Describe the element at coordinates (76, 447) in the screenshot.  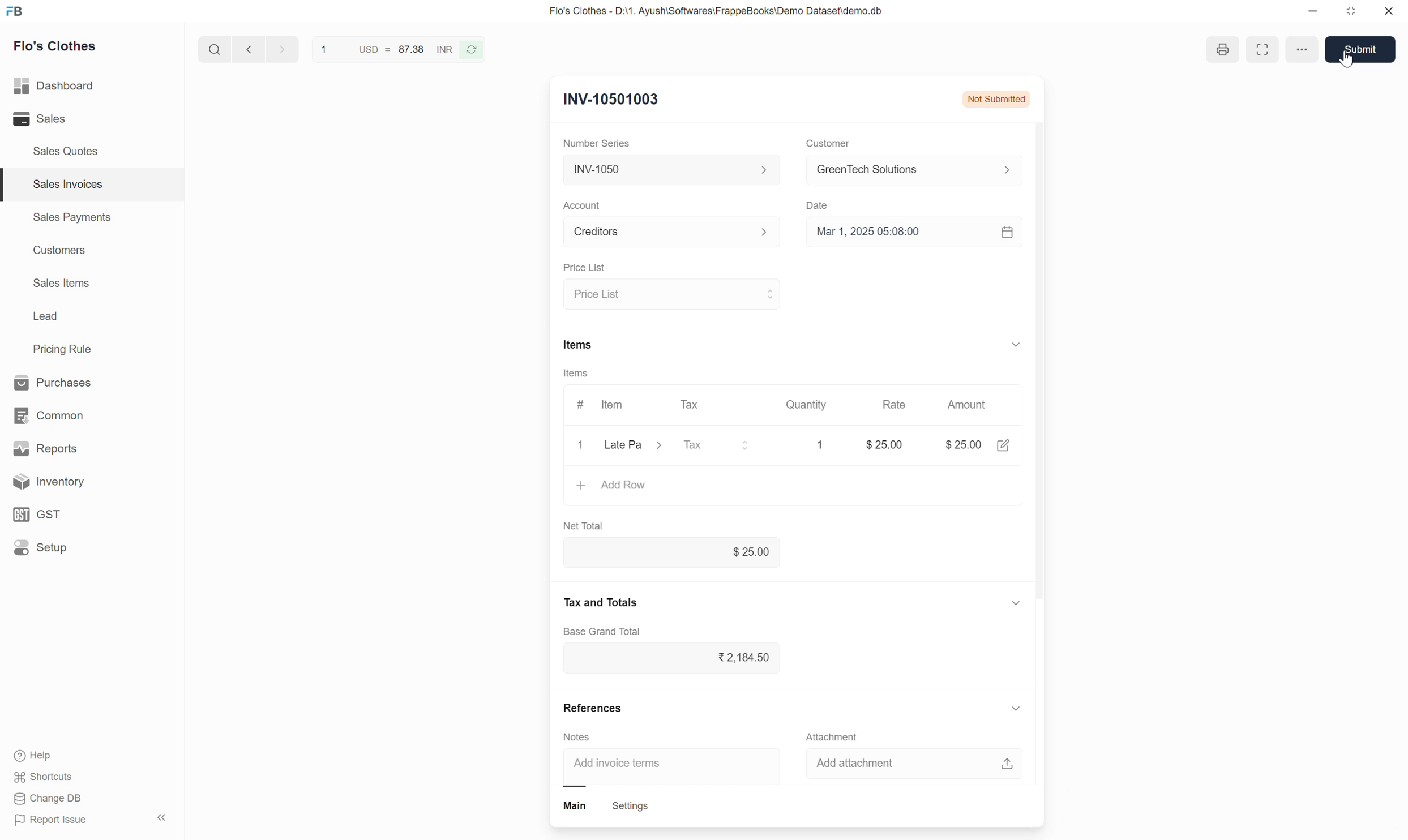
I see `Reports ` at that location.